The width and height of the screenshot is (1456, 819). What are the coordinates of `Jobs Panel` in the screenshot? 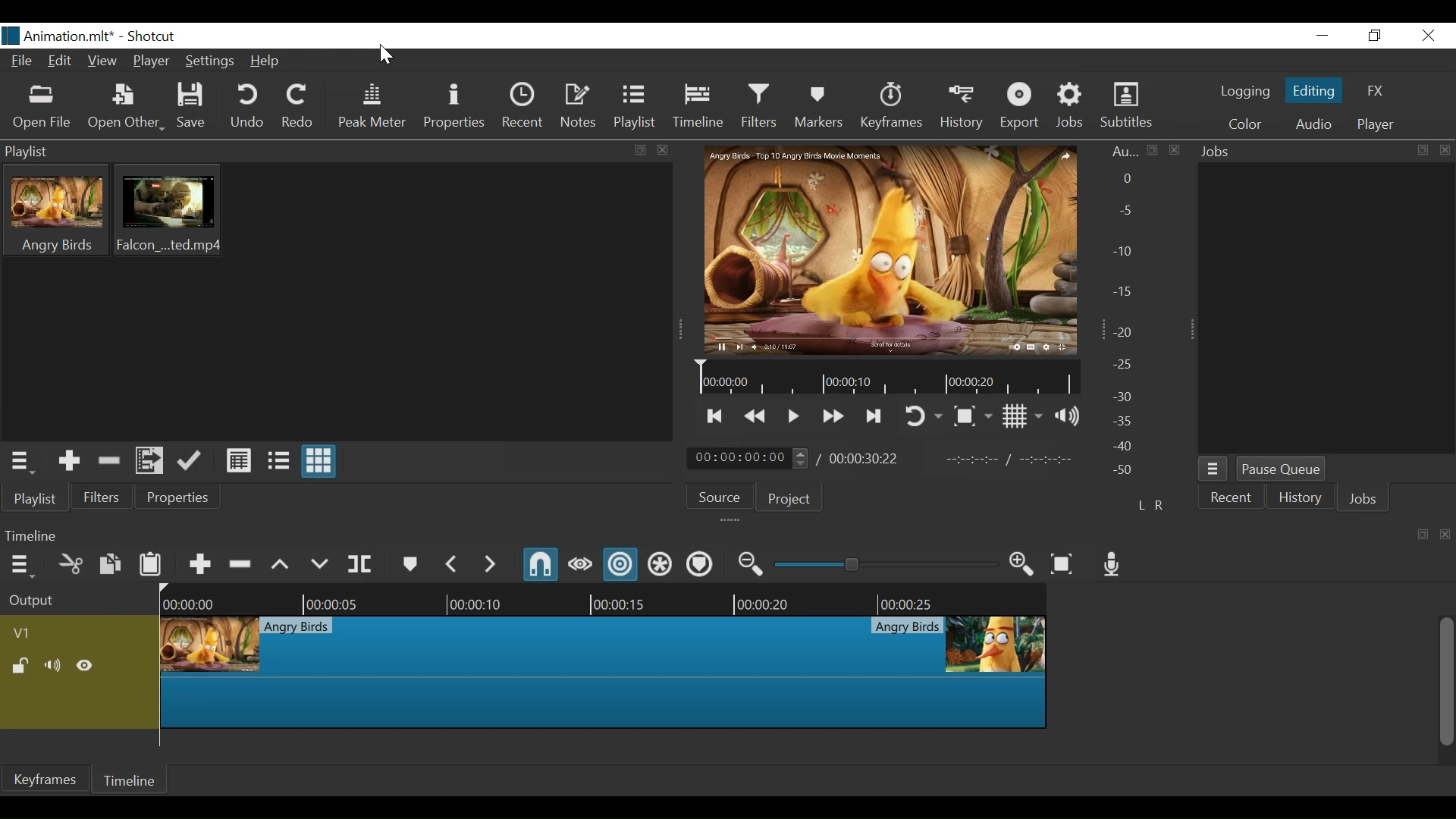 It's located at (1326, 152).